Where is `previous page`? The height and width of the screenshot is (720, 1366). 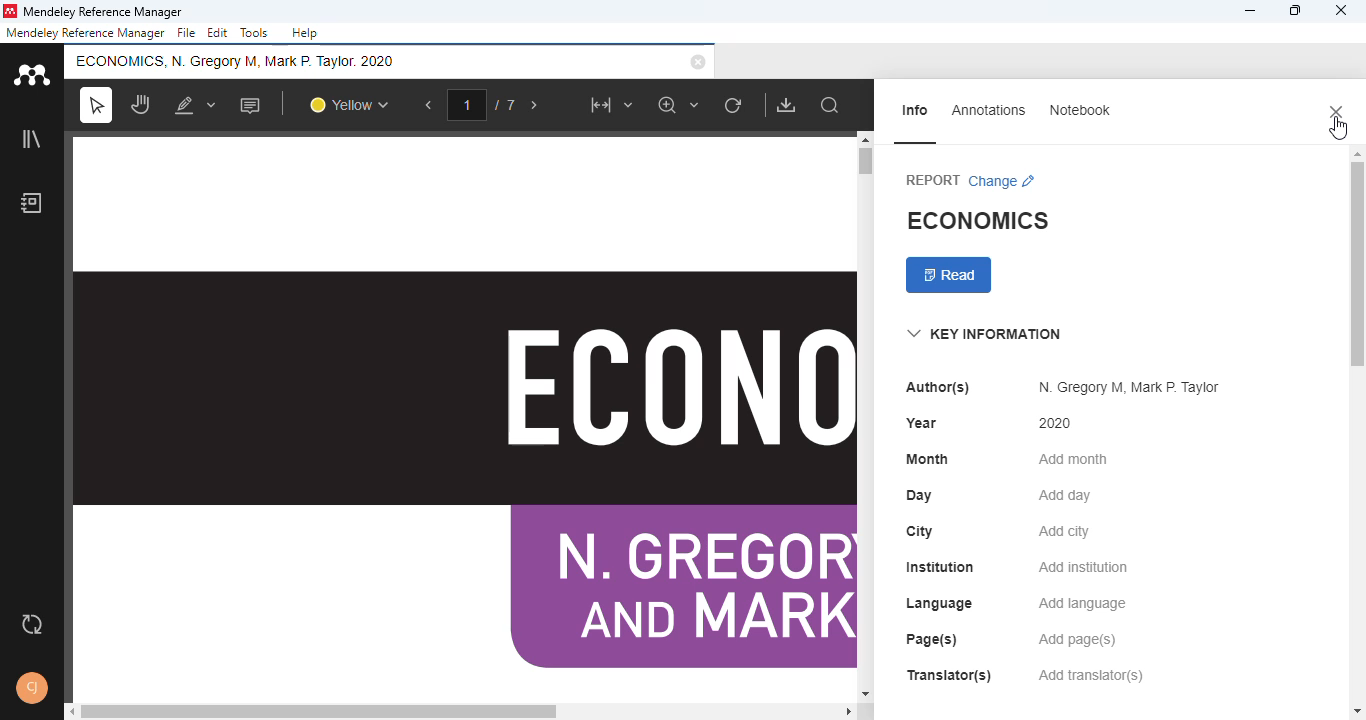
previous page is located at coordinates (430, 105).